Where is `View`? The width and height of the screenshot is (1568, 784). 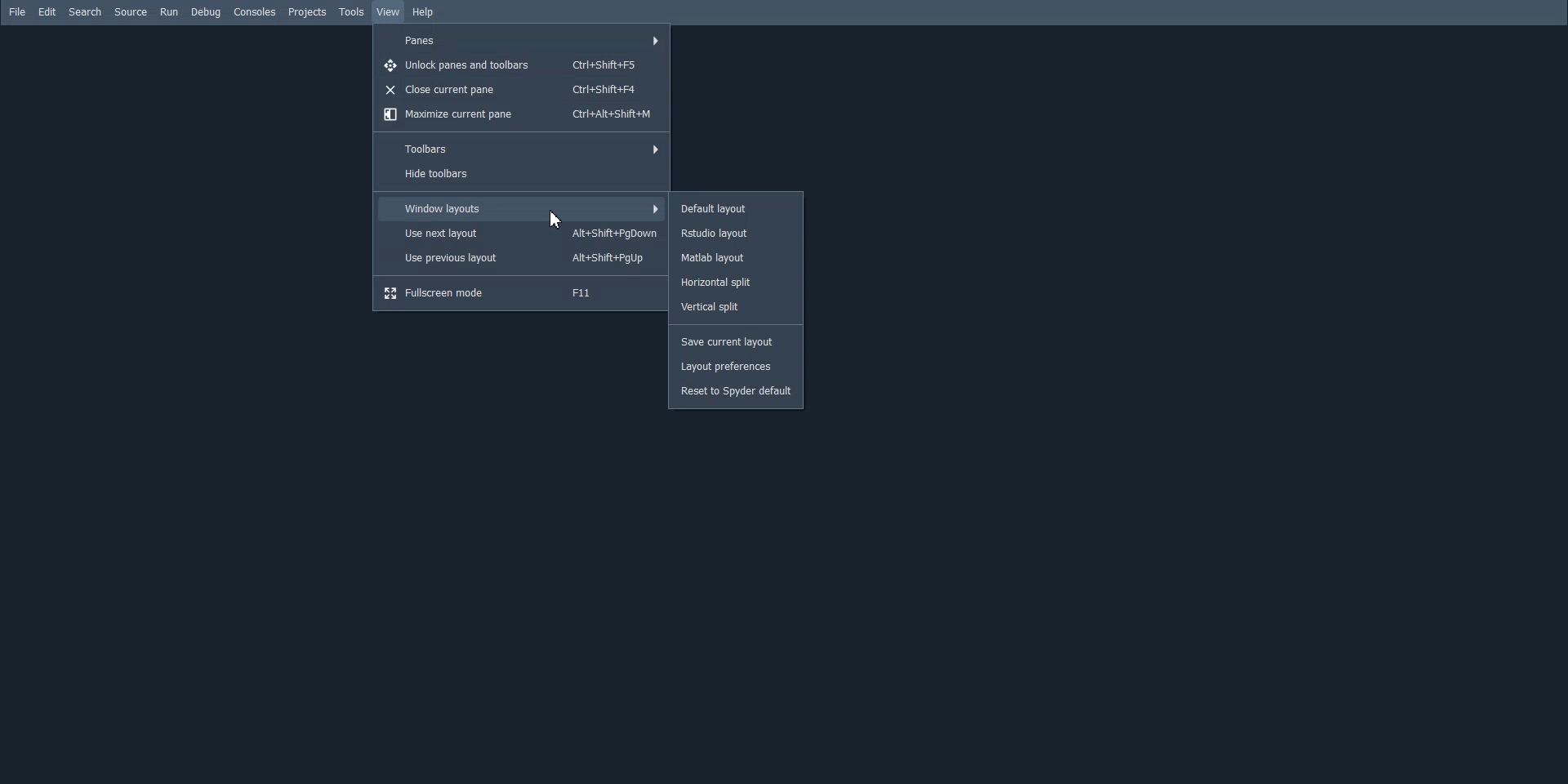
View is located at coordinates (389, 11).